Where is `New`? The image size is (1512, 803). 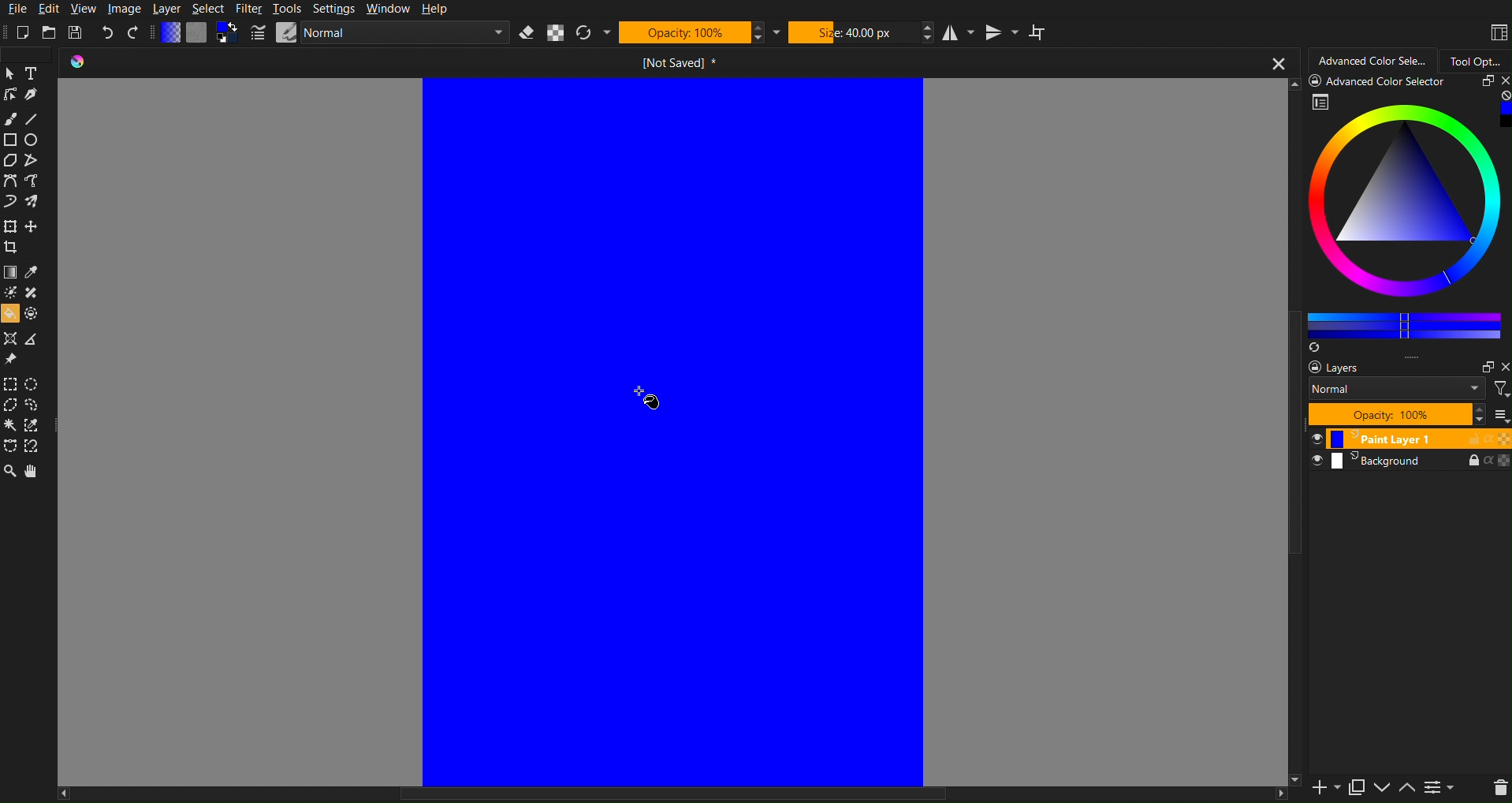
New is located at coordinates (24, 32).